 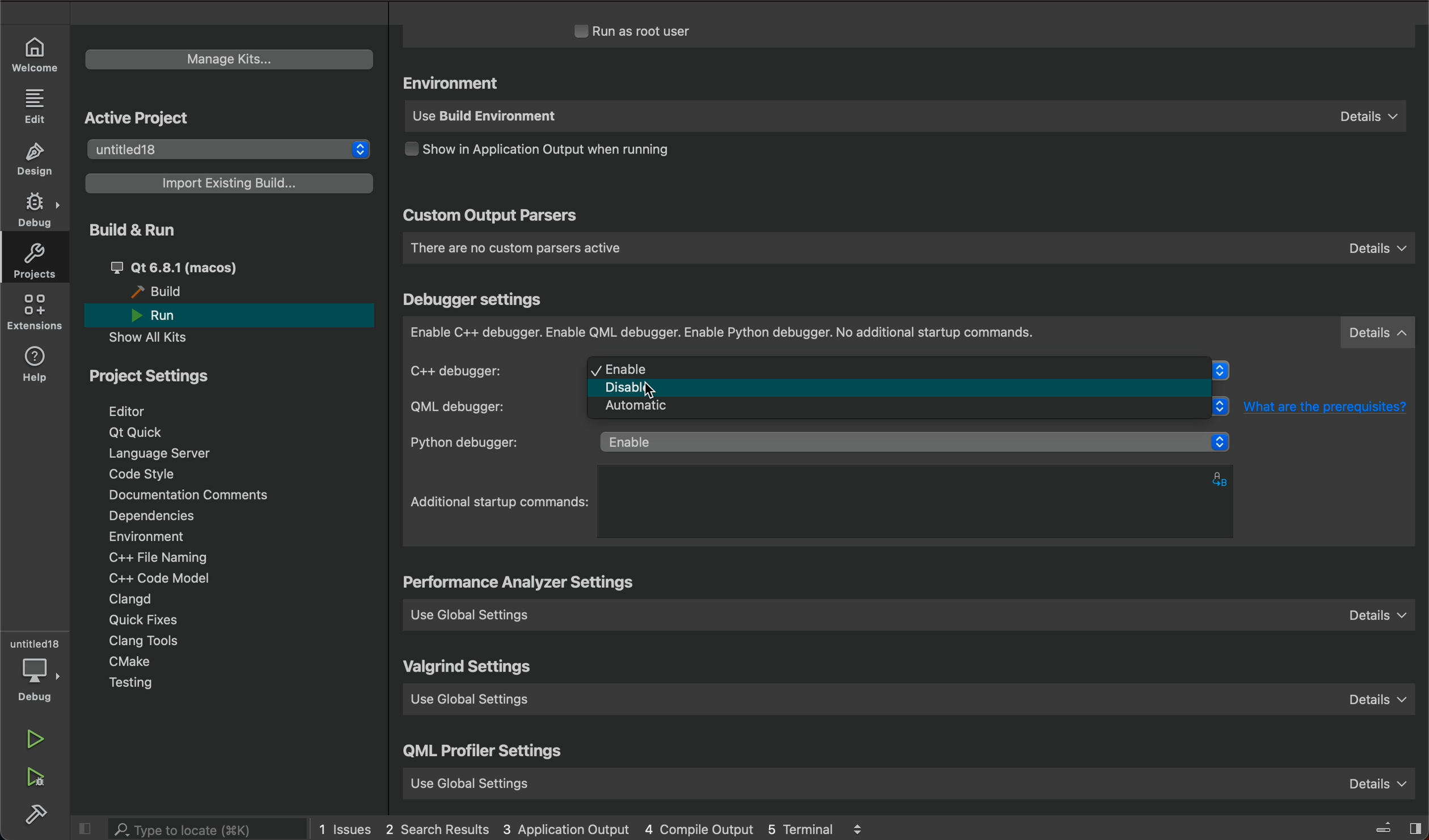 I want to click on tools, so click(x=161, y=642).